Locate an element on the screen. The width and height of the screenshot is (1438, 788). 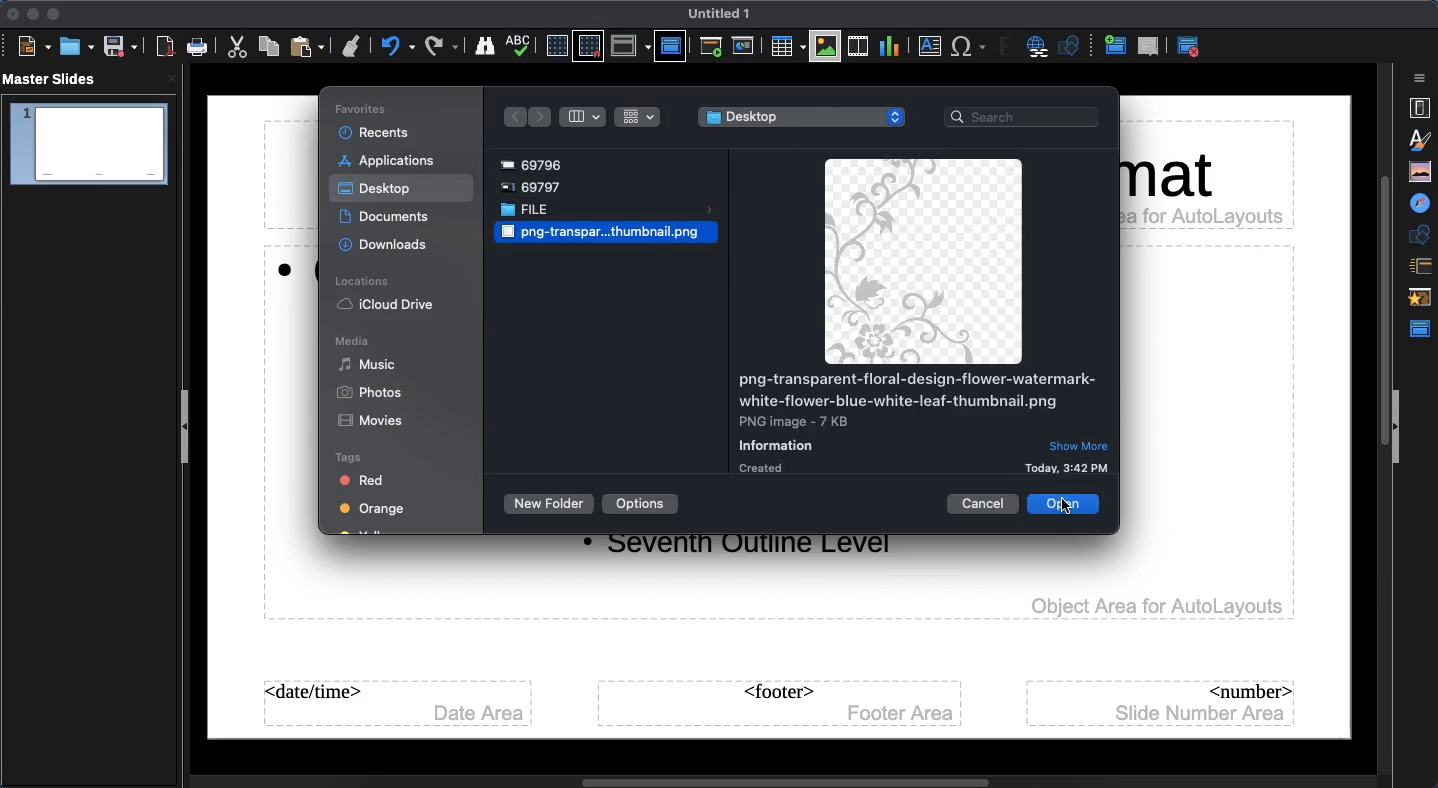
Finder is located at coordinates (485, 47).